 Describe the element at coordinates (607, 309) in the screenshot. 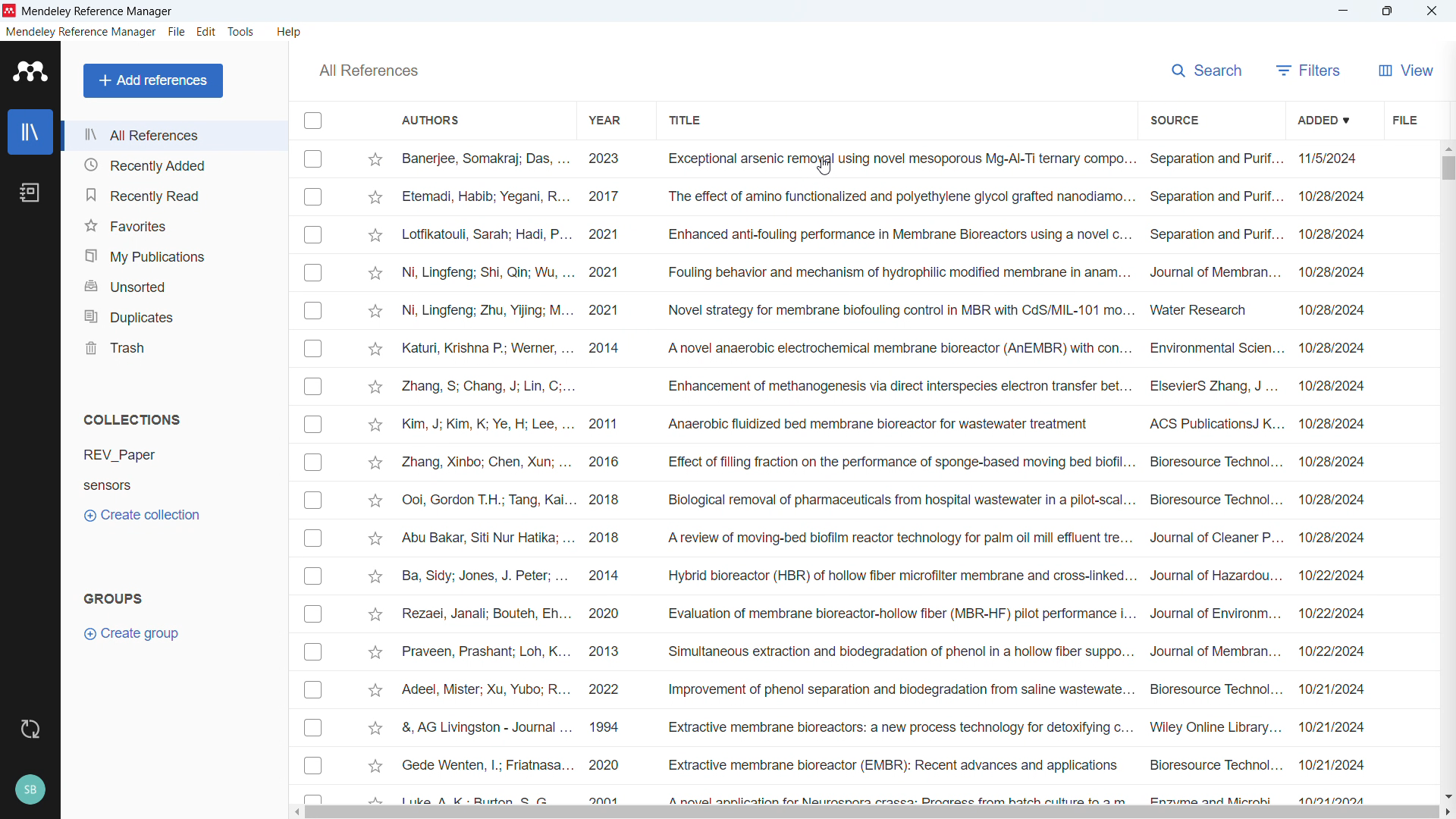

I see `2021` at that location.